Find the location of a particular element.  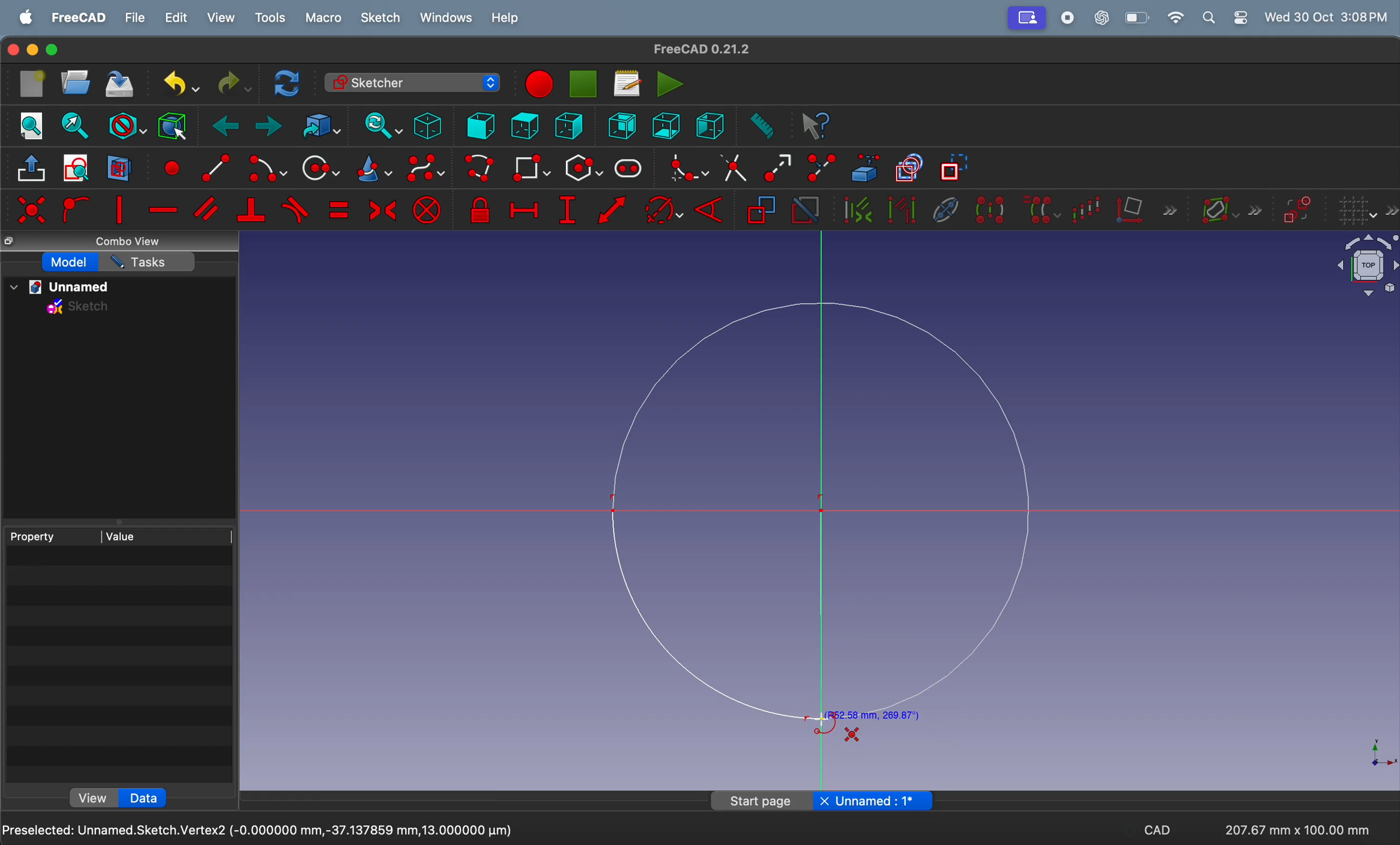

select associated contrsaints is located at coordinates (855, 210).